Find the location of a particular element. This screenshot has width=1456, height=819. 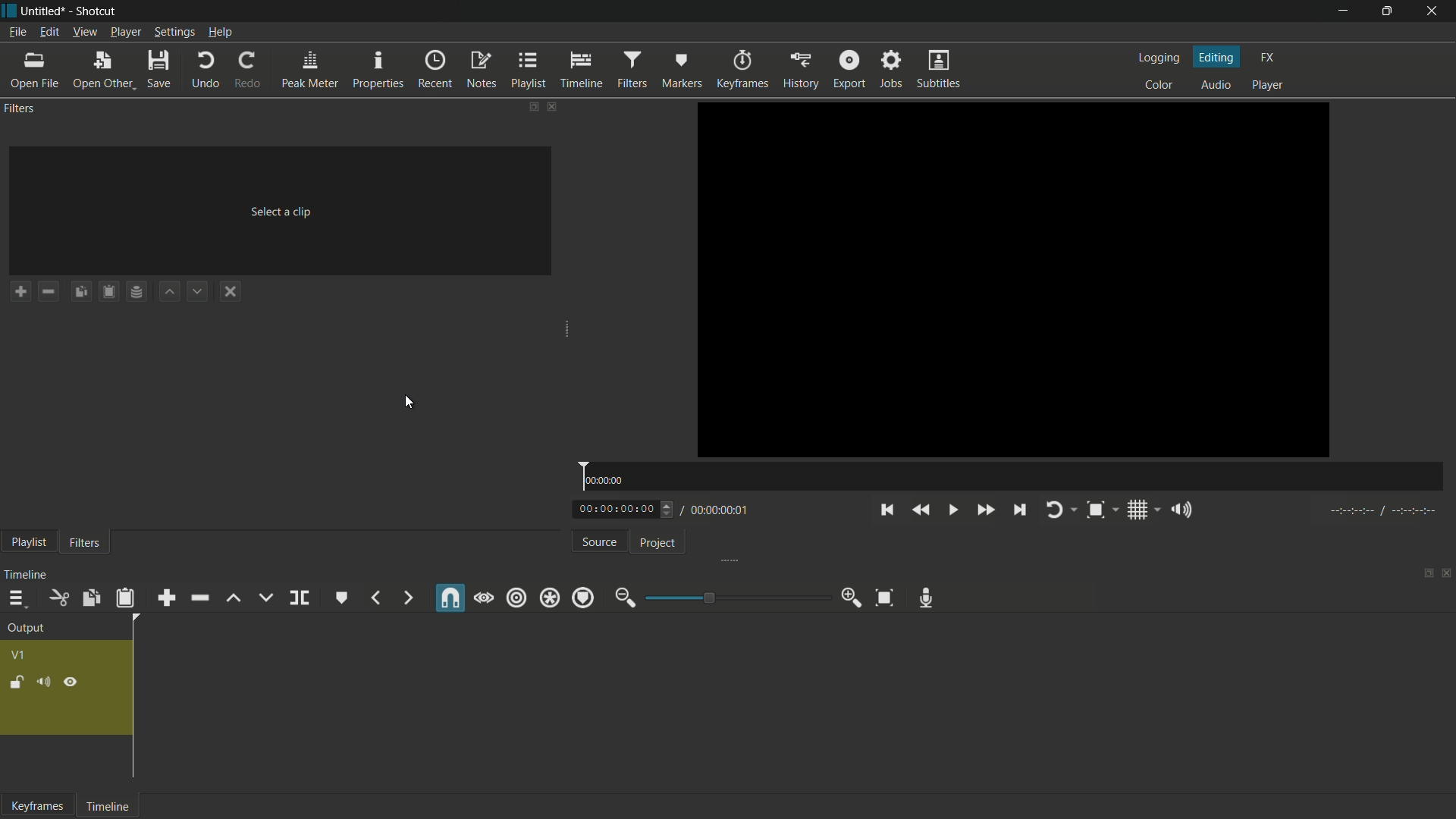

settings menu is located at coordinates (174, 33).